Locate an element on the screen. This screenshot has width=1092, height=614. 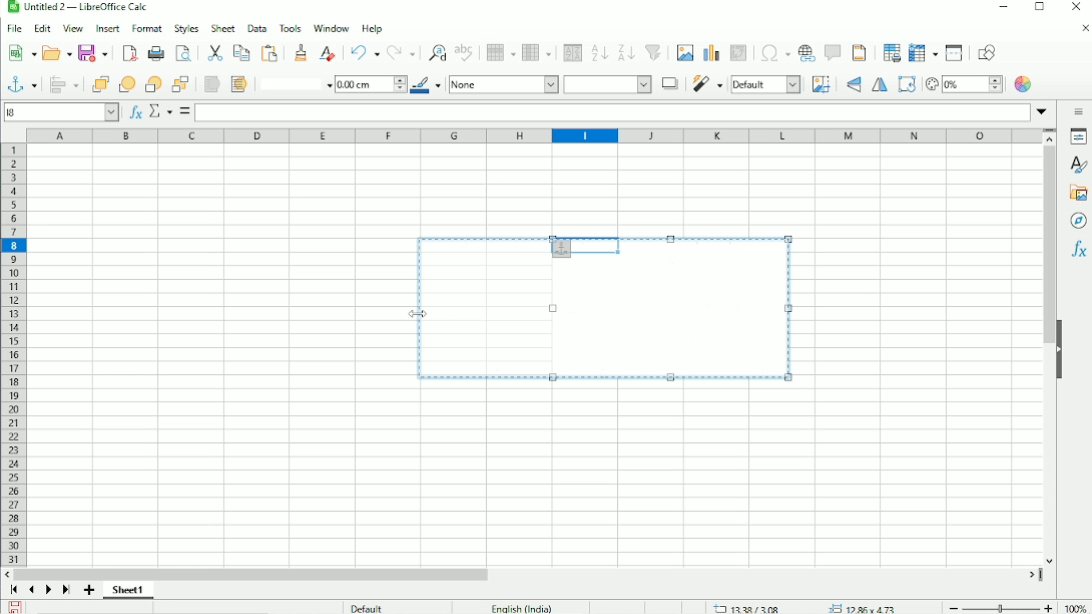
Scroll to next sheet is located at coordinates (48, 591).